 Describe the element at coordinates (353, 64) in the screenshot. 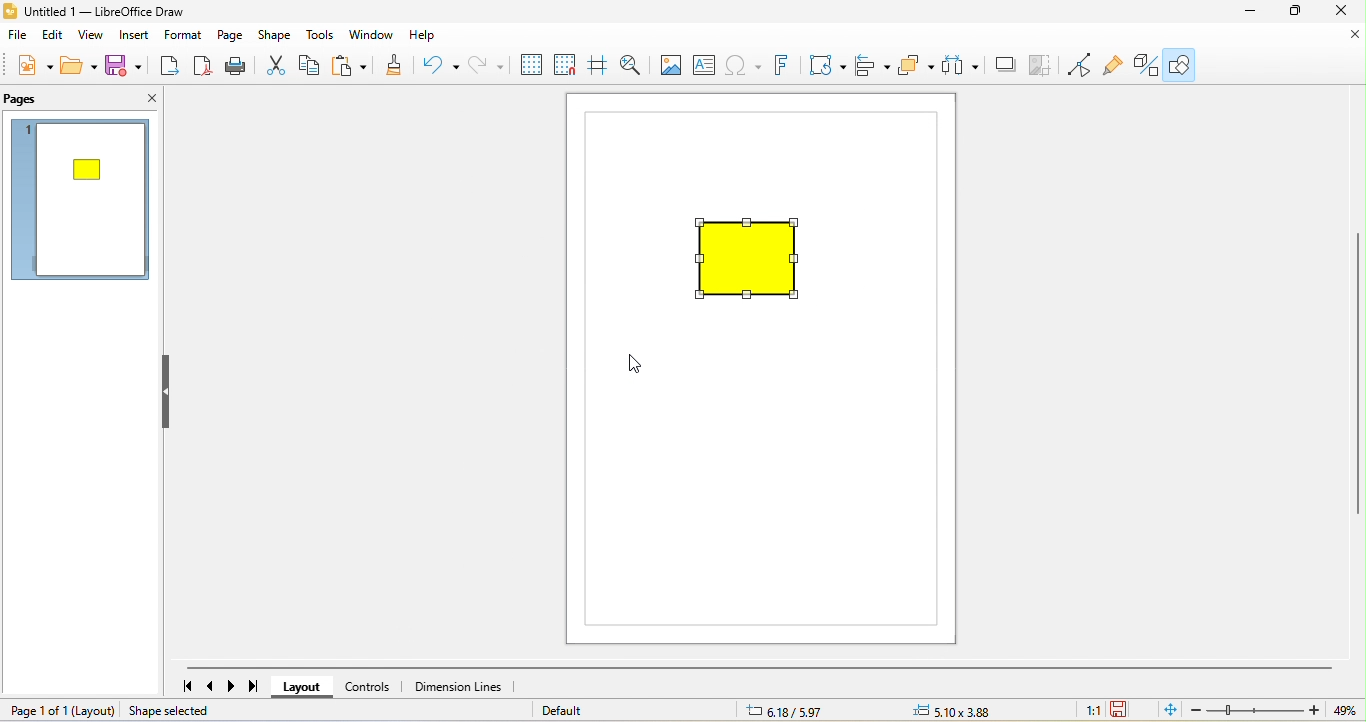

I see `paste` at that location.